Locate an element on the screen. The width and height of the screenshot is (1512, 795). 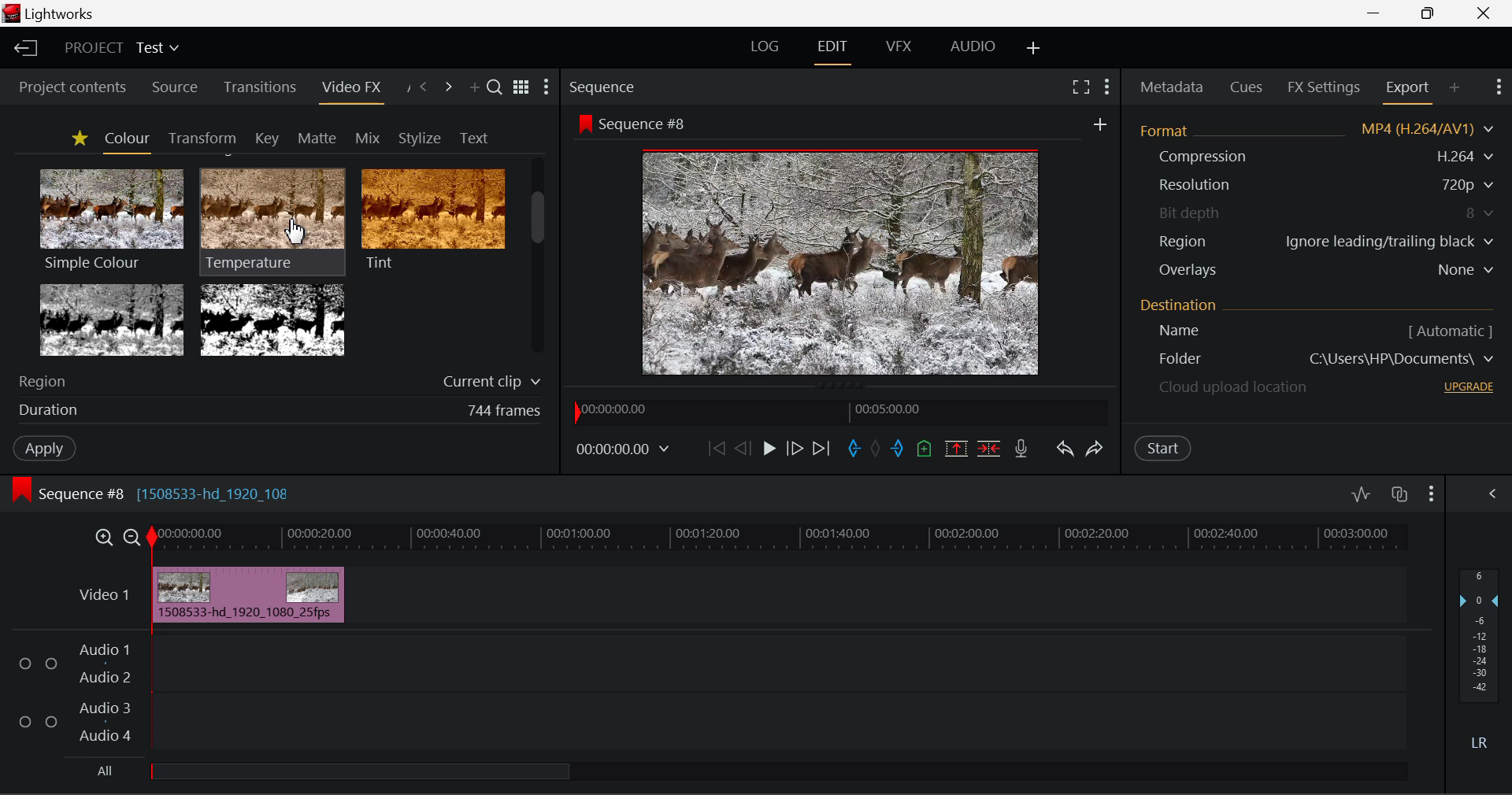
Cues is located at coordinates (1247, 86).